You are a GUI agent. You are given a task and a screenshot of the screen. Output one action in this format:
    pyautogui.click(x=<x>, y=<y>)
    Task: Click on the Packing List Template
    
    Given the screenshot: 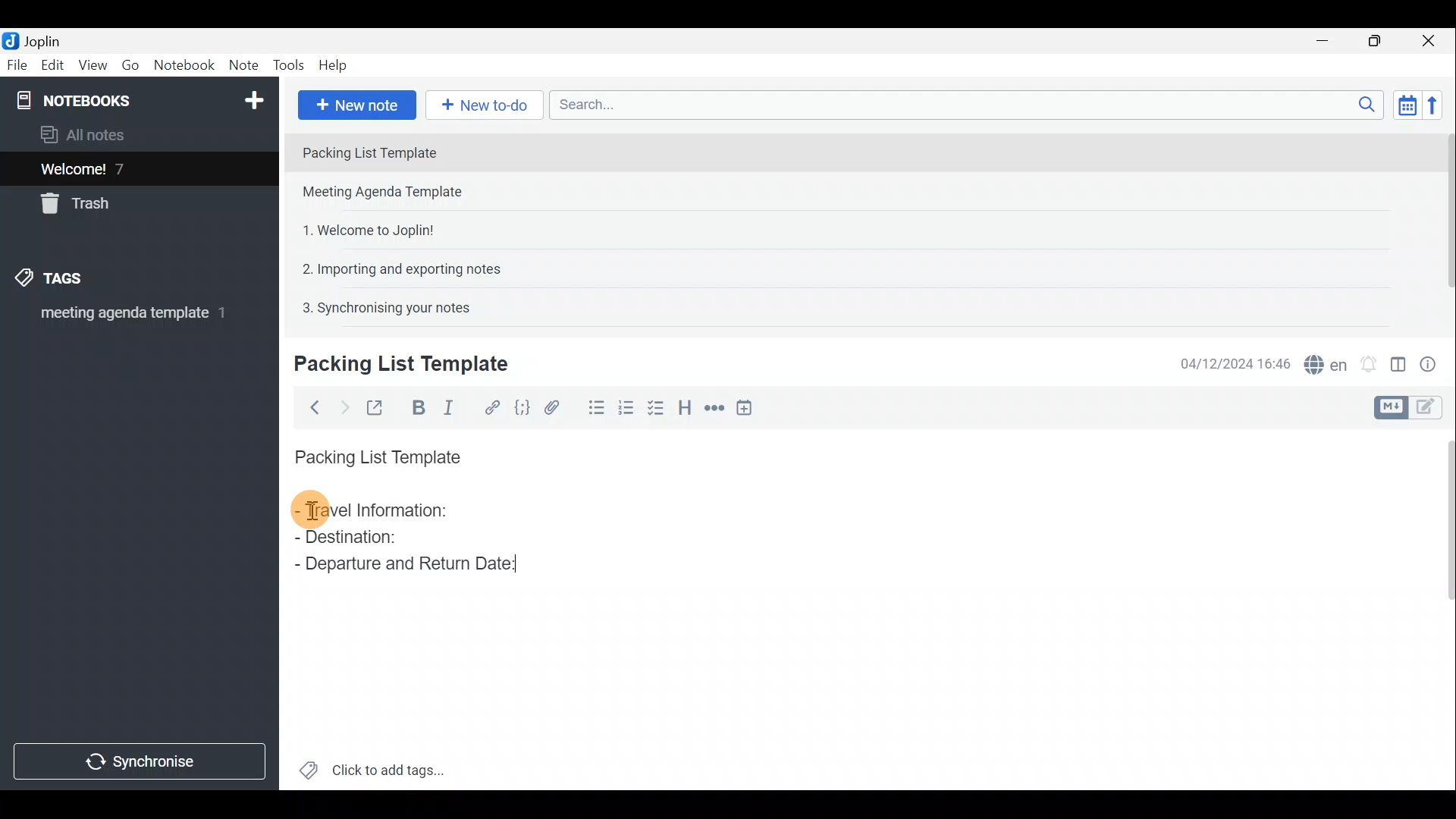 What is the action you would take?
    pyautogui.click(x=375, y=453)
    